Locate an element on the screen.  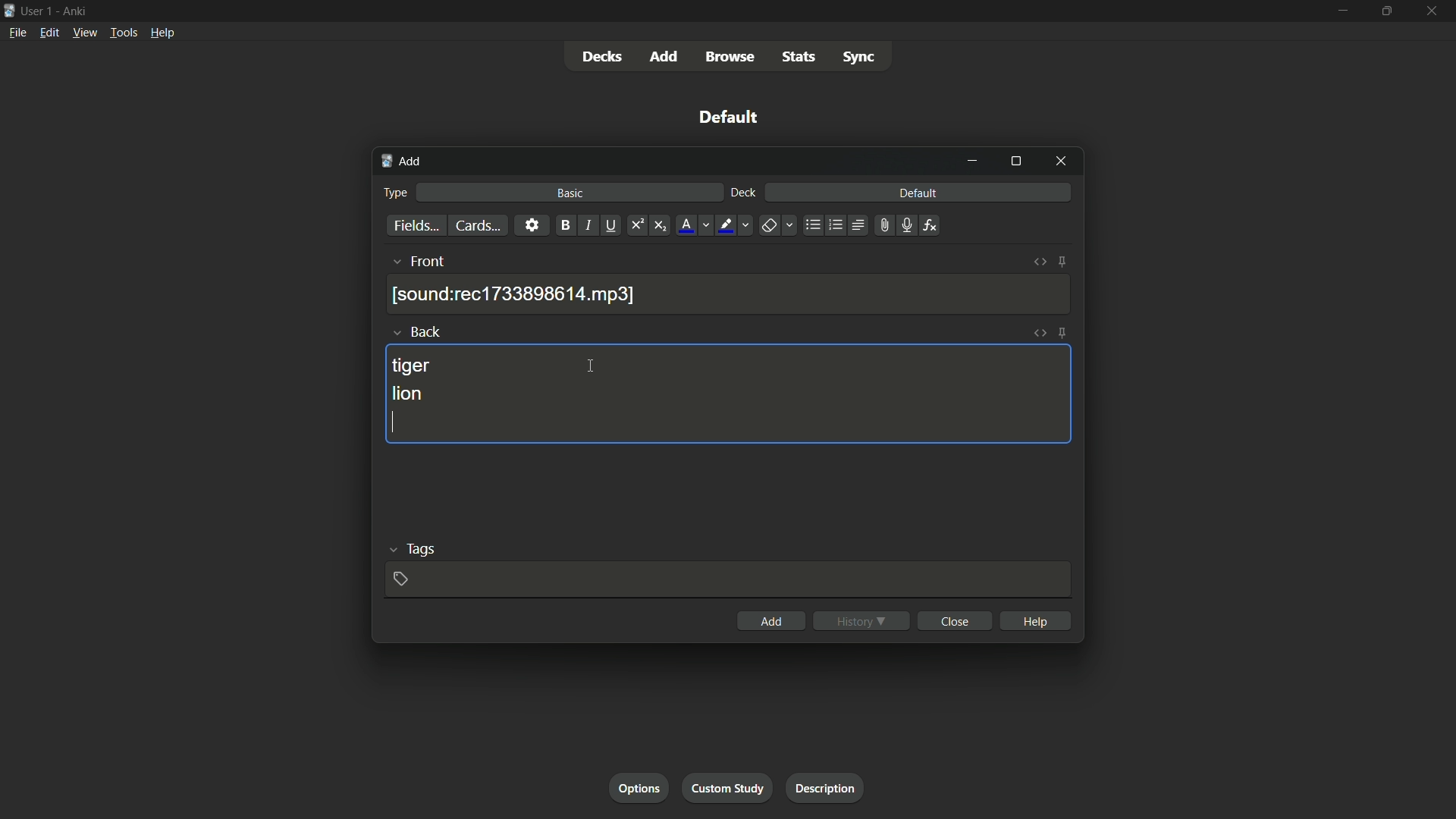
options is located at coordinates (642, 789).